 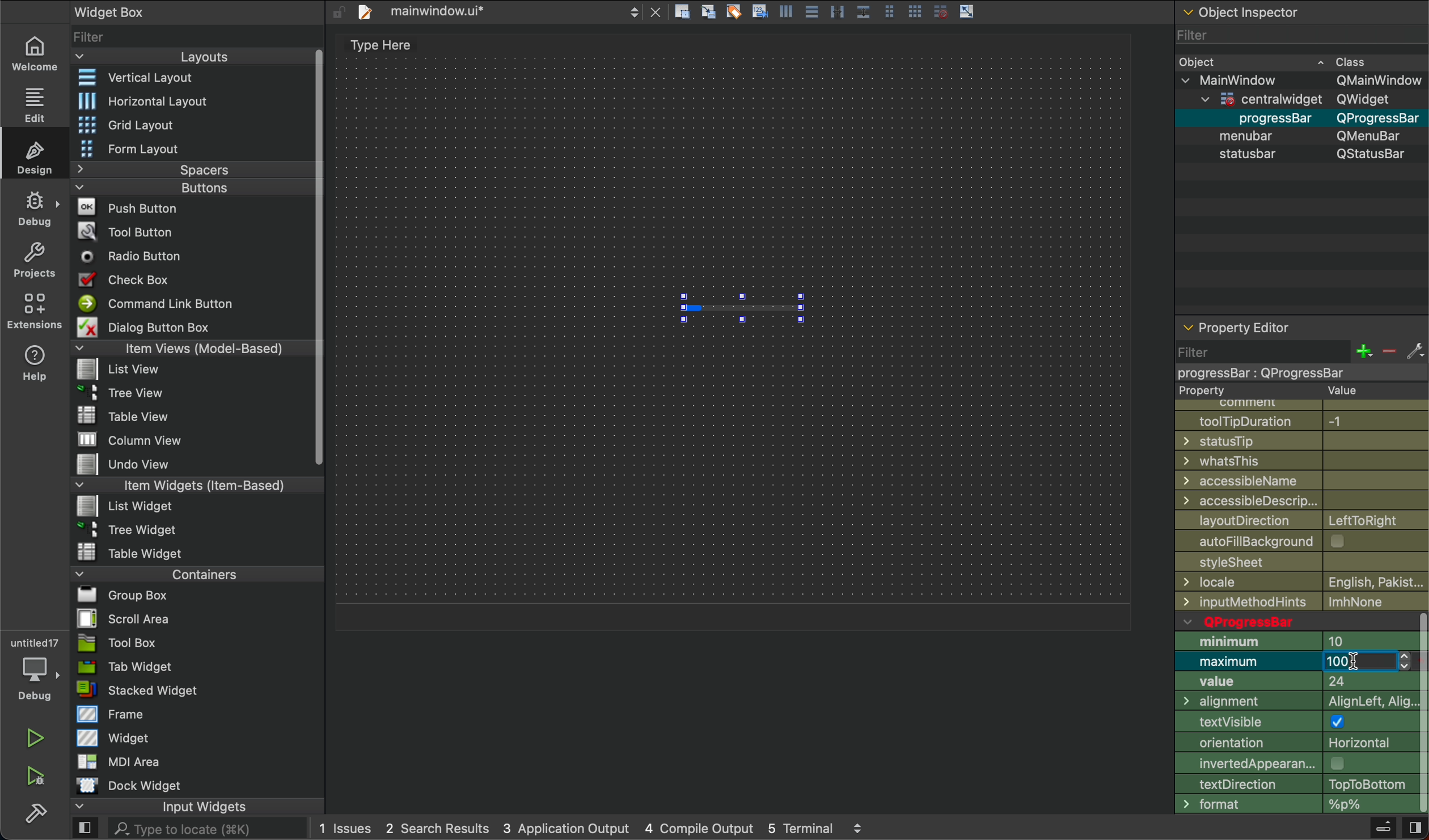 I want to click on tooltip duration, so click(x=1296, y=419).